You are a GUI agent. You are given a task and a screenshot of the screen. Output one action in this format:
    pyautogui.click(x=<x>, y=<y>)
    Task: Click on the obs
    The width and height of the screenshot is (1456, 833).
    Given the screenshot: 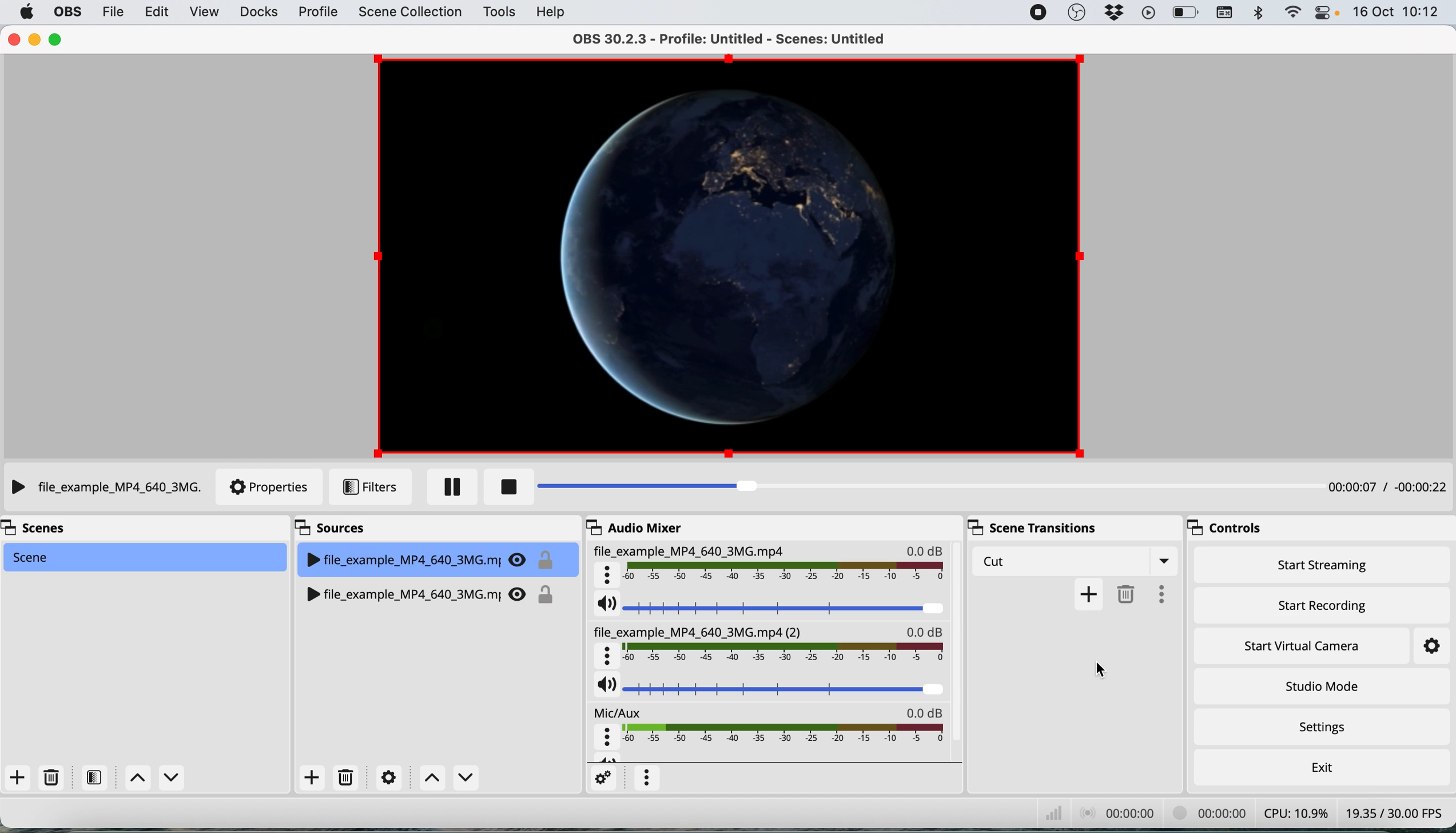 What is the action you would take?
    pyautogui.click(x=1080, y=12)
    